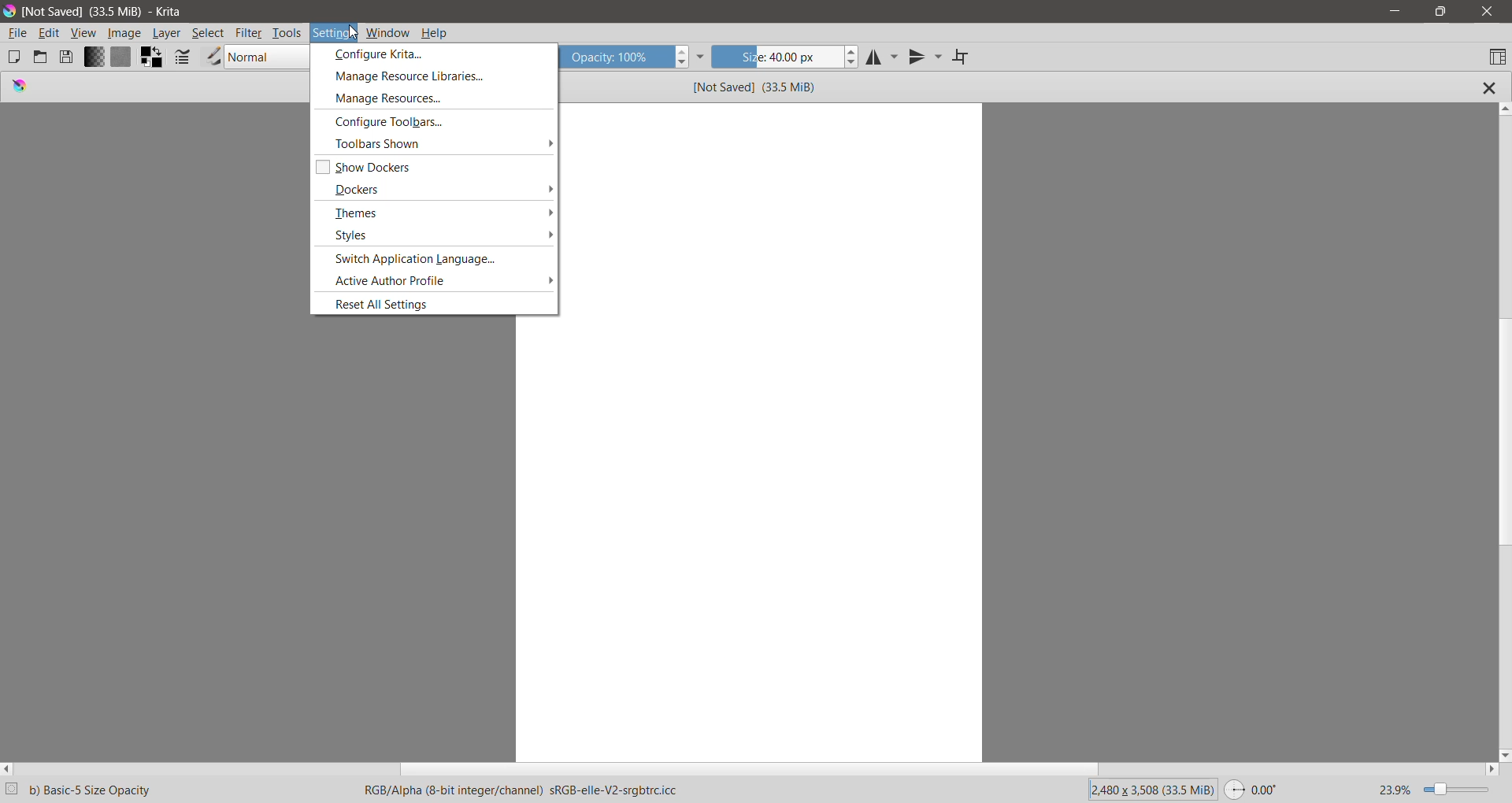 Image resolution: width=1512 pixels, height=803 pixels. What do you see at coordinates (1191, 791) in the screenshot?
I see `Memory Used` at bounding box center [1191, 791].